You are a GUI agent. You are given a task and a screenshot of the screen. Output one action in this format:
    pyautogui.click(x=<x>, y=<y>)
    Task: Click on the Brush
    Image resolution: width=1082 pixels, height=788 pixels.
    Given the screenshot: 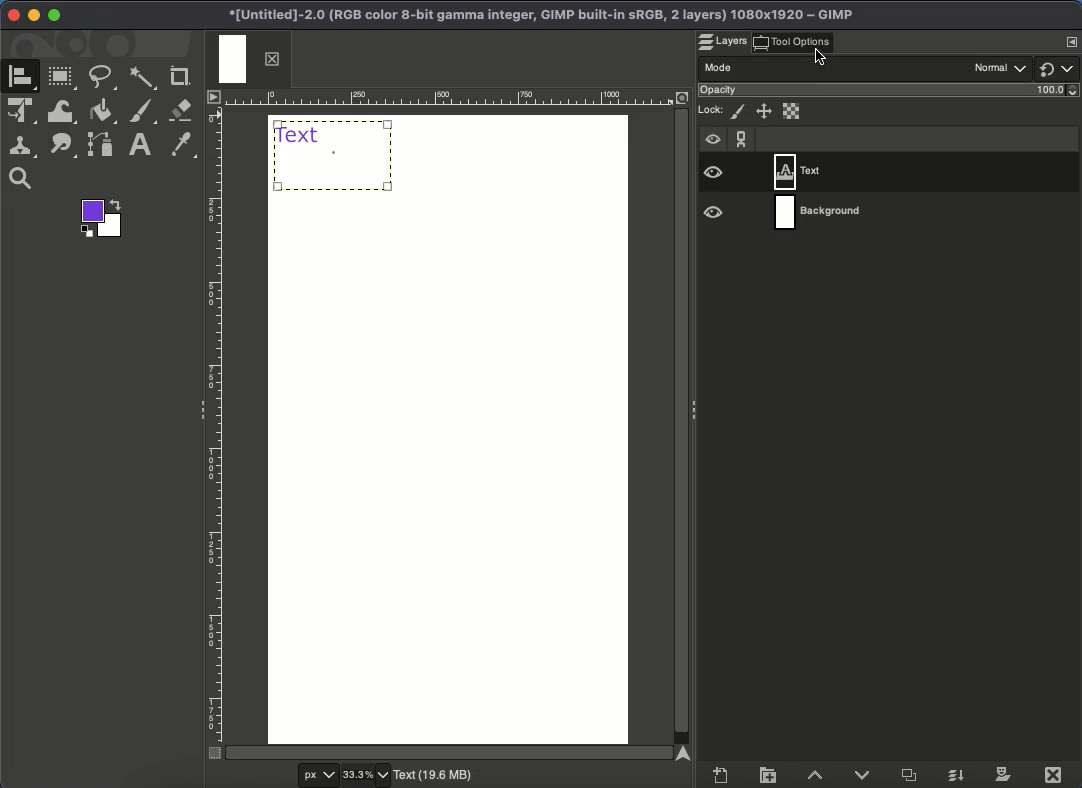 What is the action you would take?
    pyautogui.click(x=143, y=113)
    